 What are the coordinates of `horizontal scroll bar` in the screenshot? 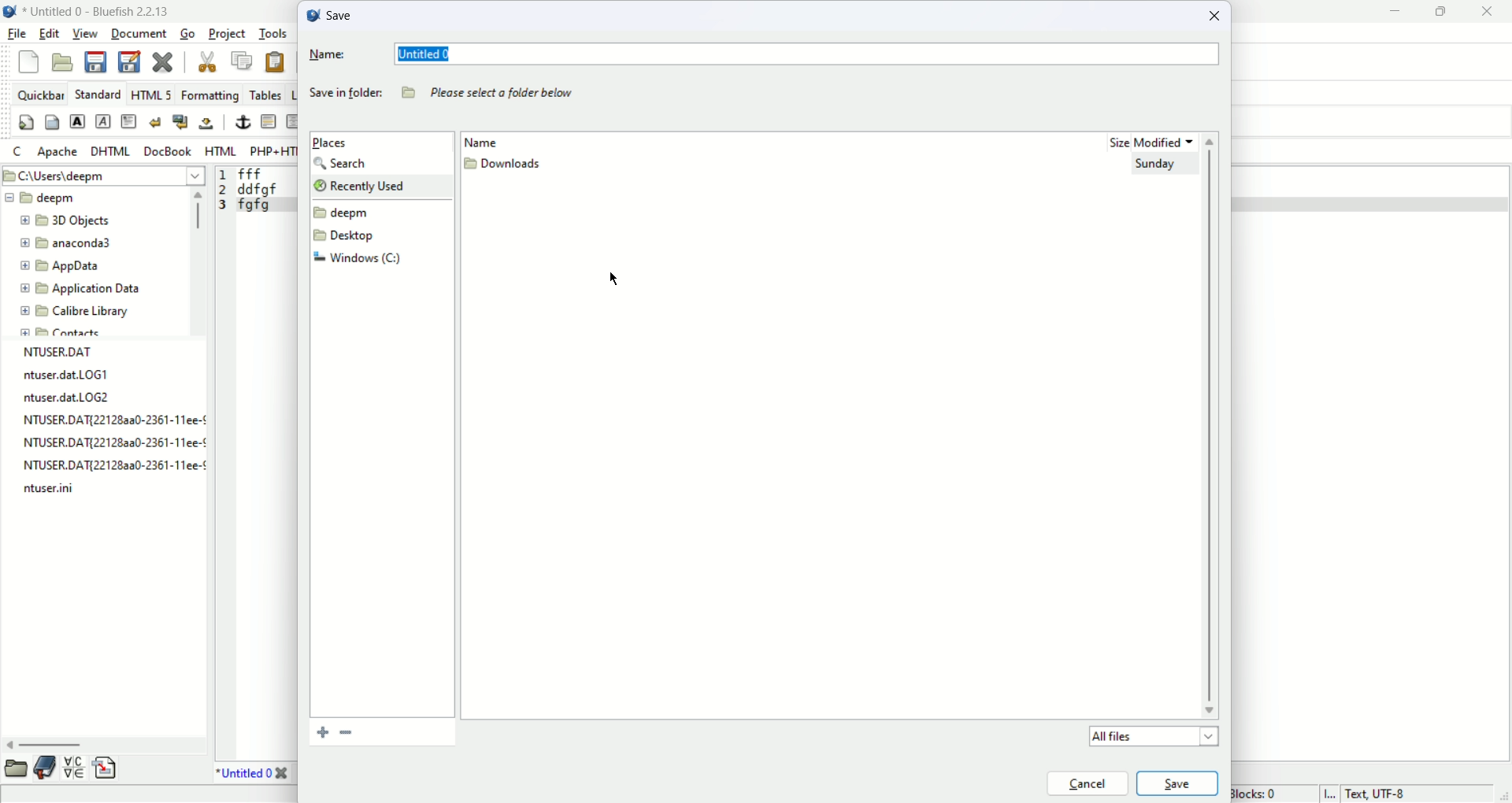 It's located at (98, 744).